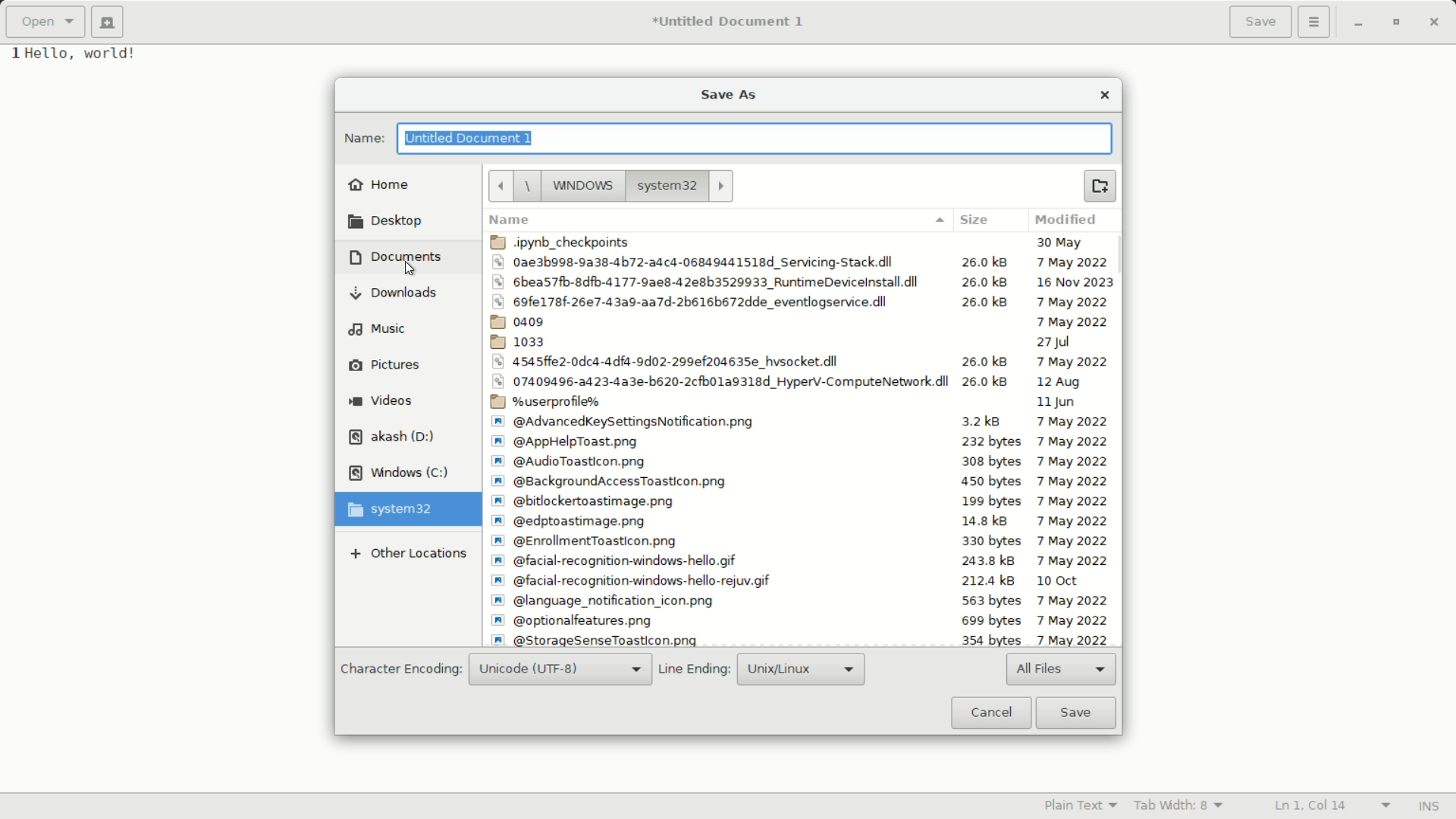 The image size is (1456, 819). I want to click on 1, so click(11, 54).